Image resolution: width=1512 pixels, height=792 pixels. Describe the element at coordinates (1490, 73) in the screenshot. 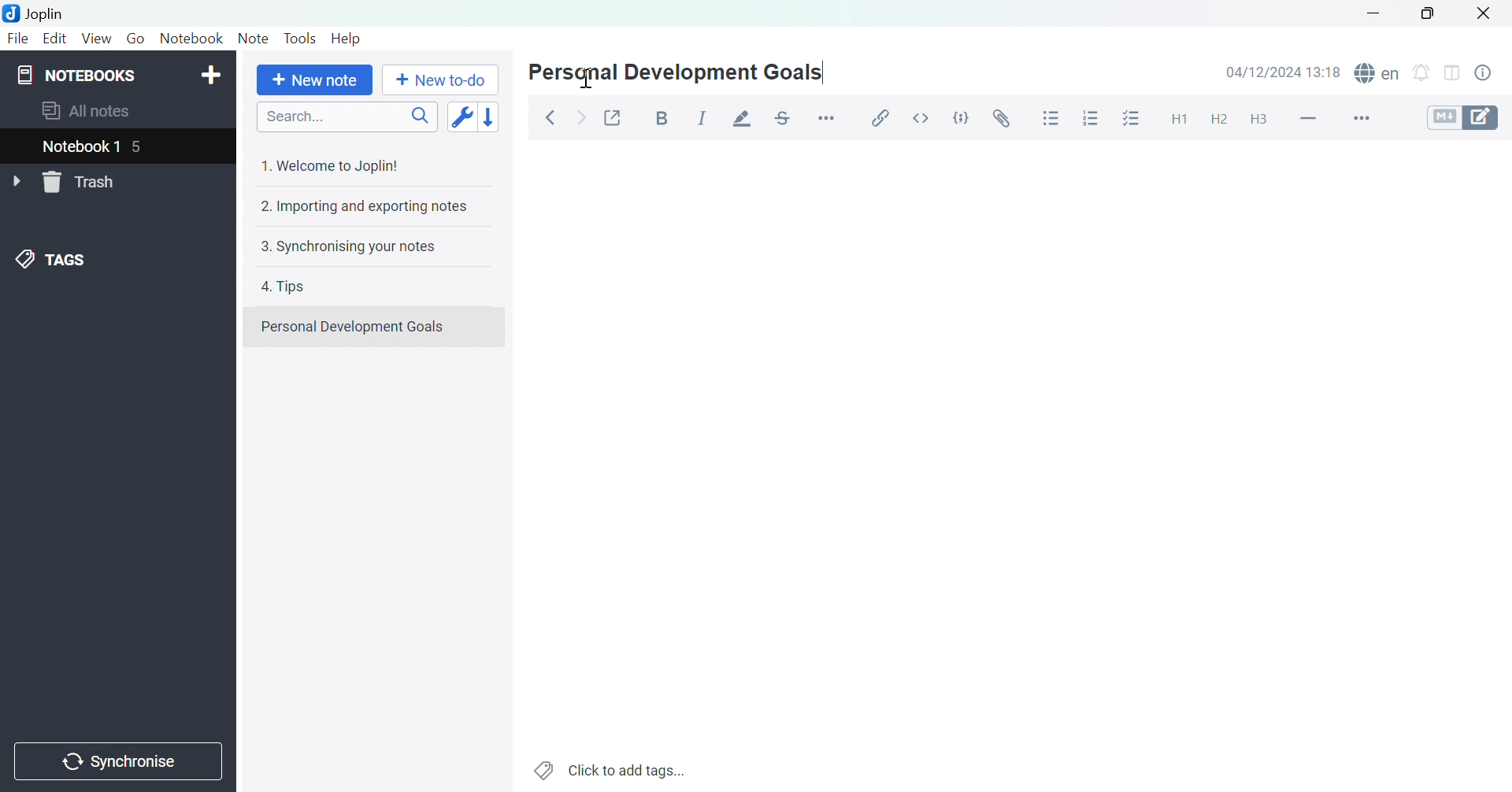

I see `Note properties` at that location.